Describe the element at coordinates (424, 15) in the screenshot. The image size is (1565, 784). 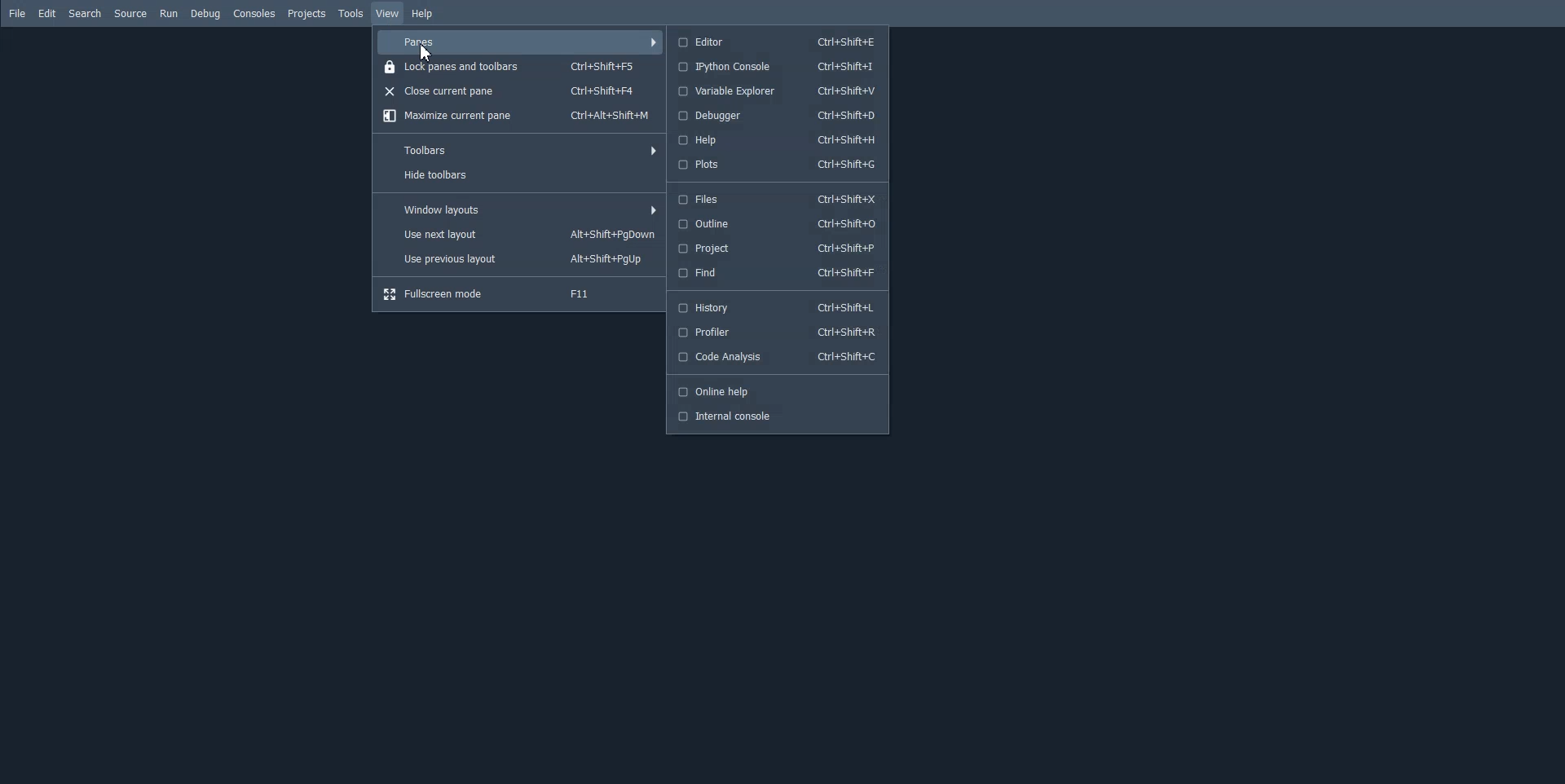
I see `Help` at that location.